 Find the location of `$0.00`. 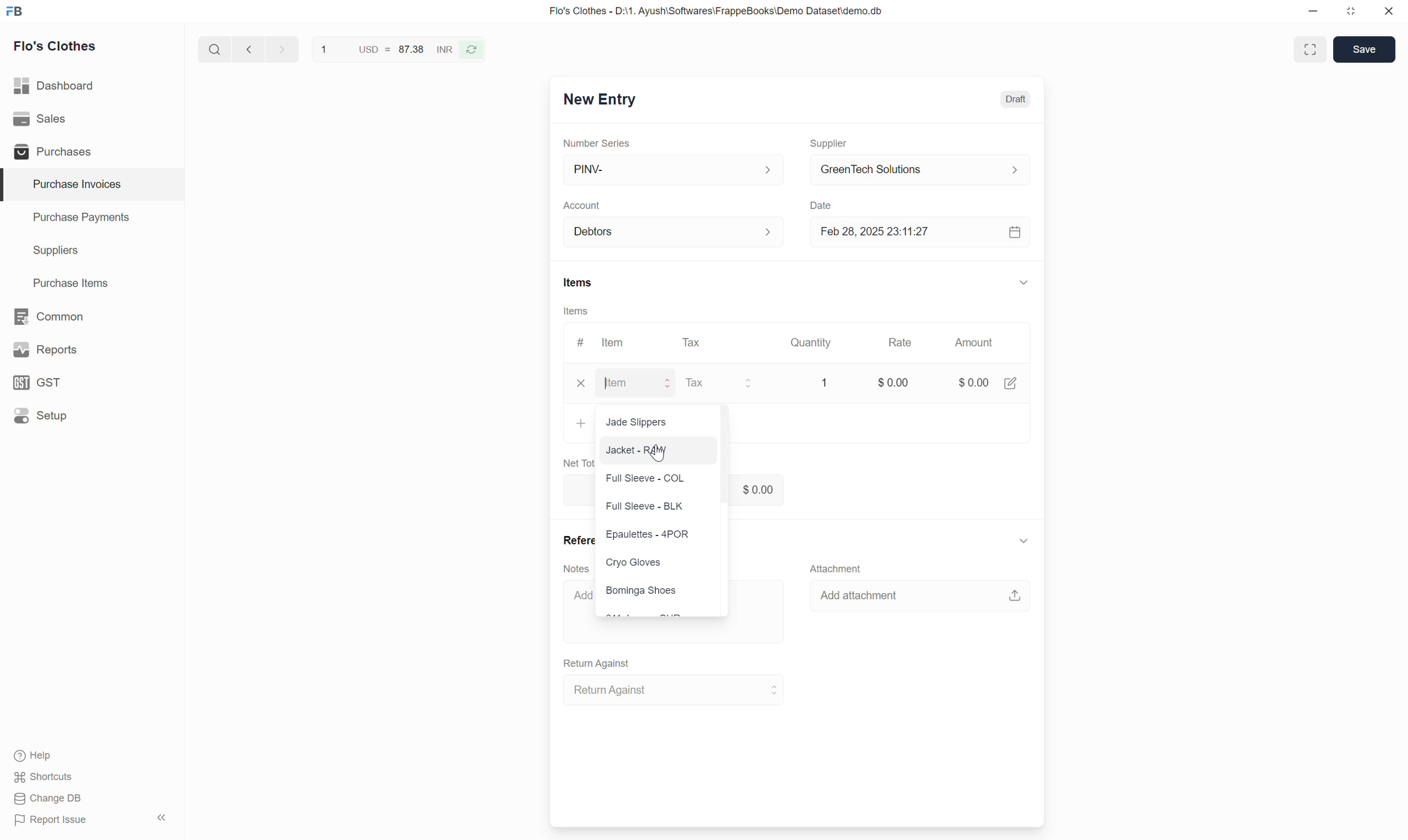

$0.00 is located at coordinates (974, 382).